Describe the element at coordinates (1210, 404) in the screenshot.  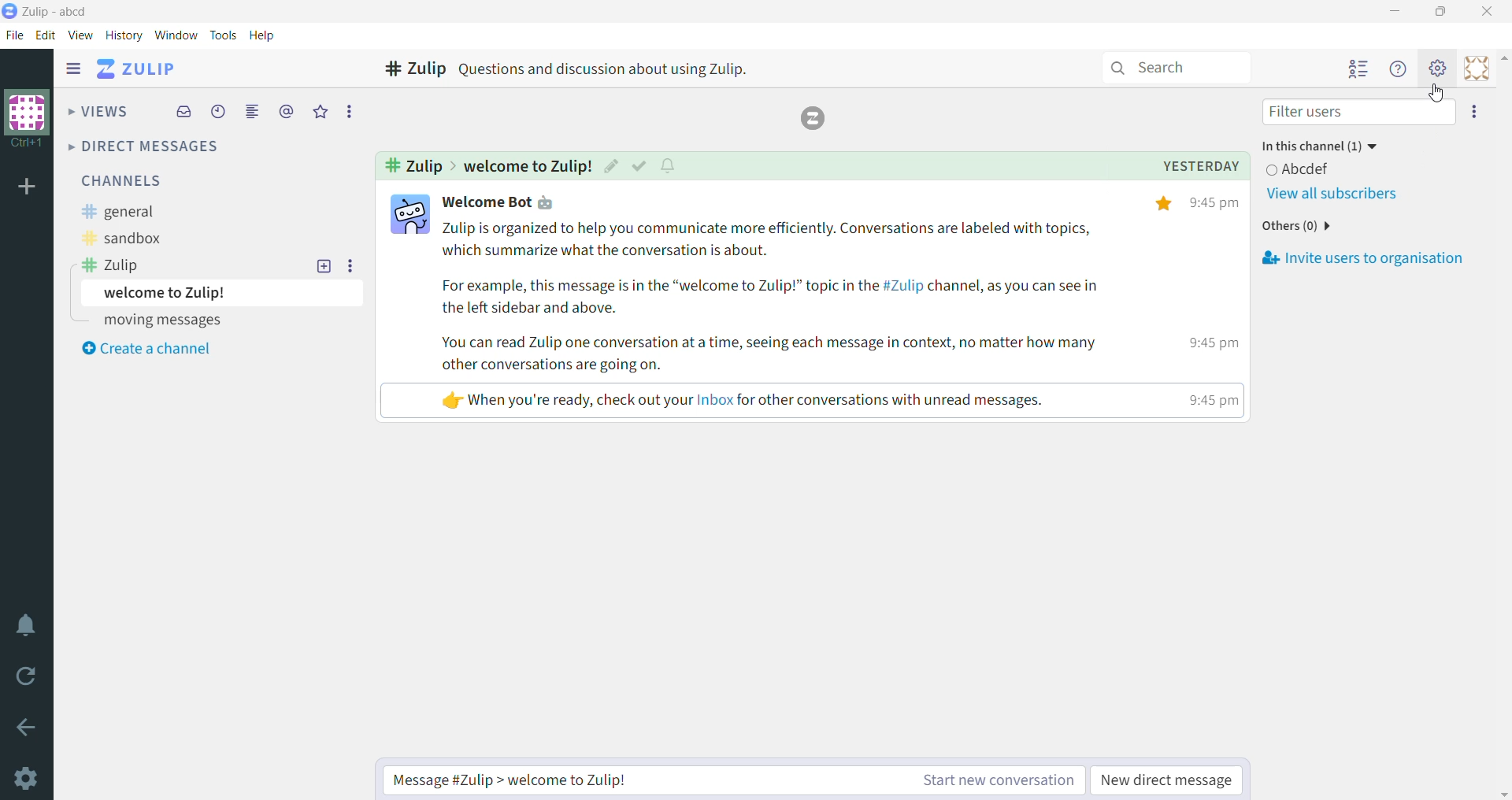
I see `time` at that location.